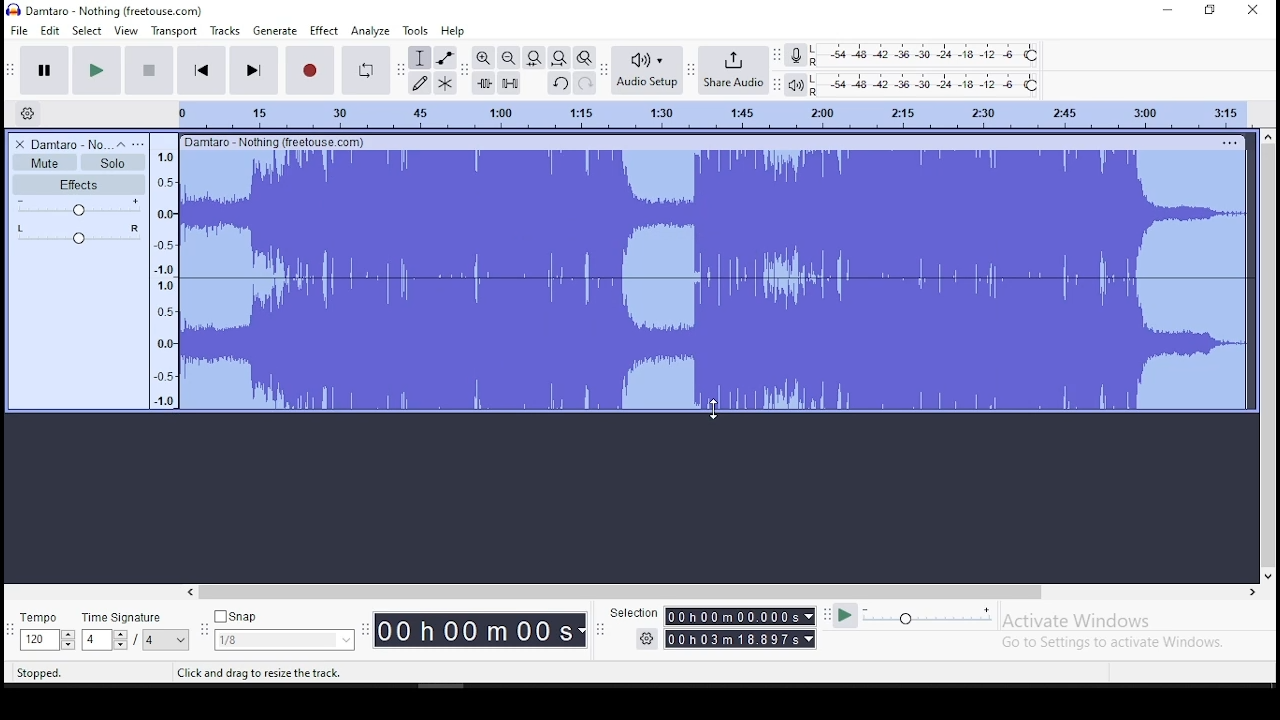 The width and height of the screenshot is (1280, 720). I want to click on transport, so click(172, 31).